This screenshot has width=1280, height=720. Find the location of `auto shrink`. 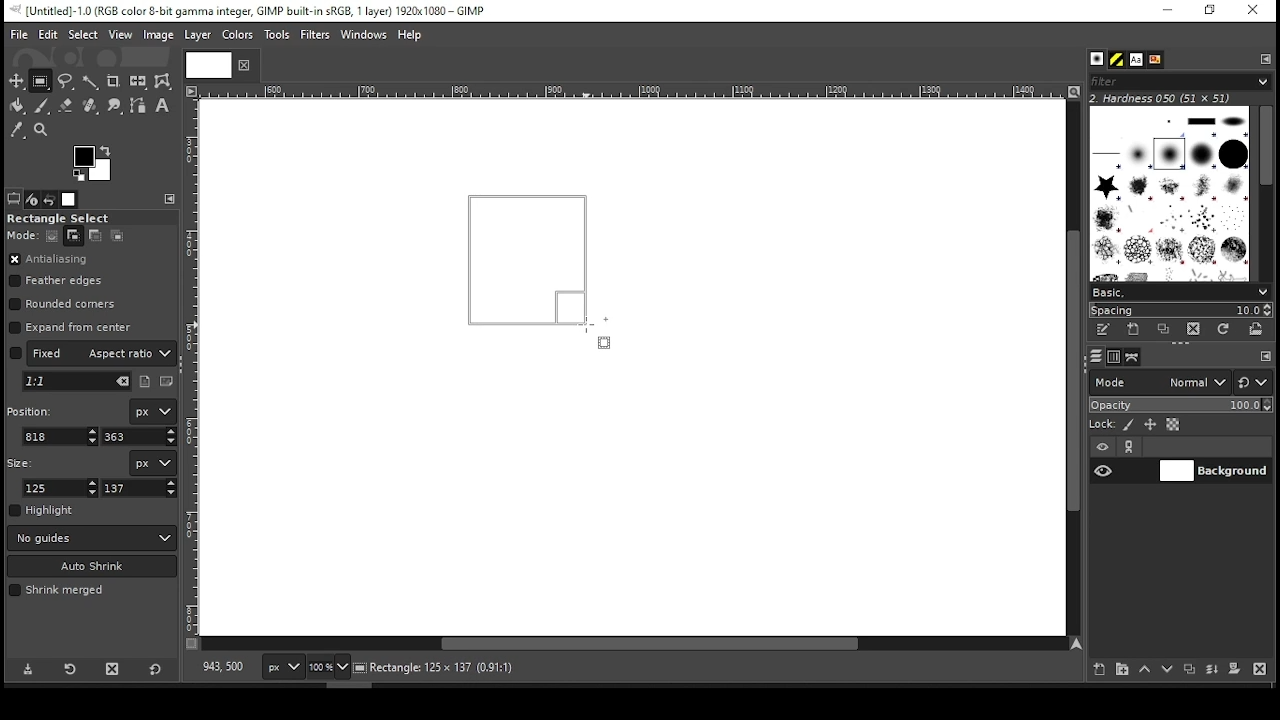

auto shrink is located at coordinates (93, 566).